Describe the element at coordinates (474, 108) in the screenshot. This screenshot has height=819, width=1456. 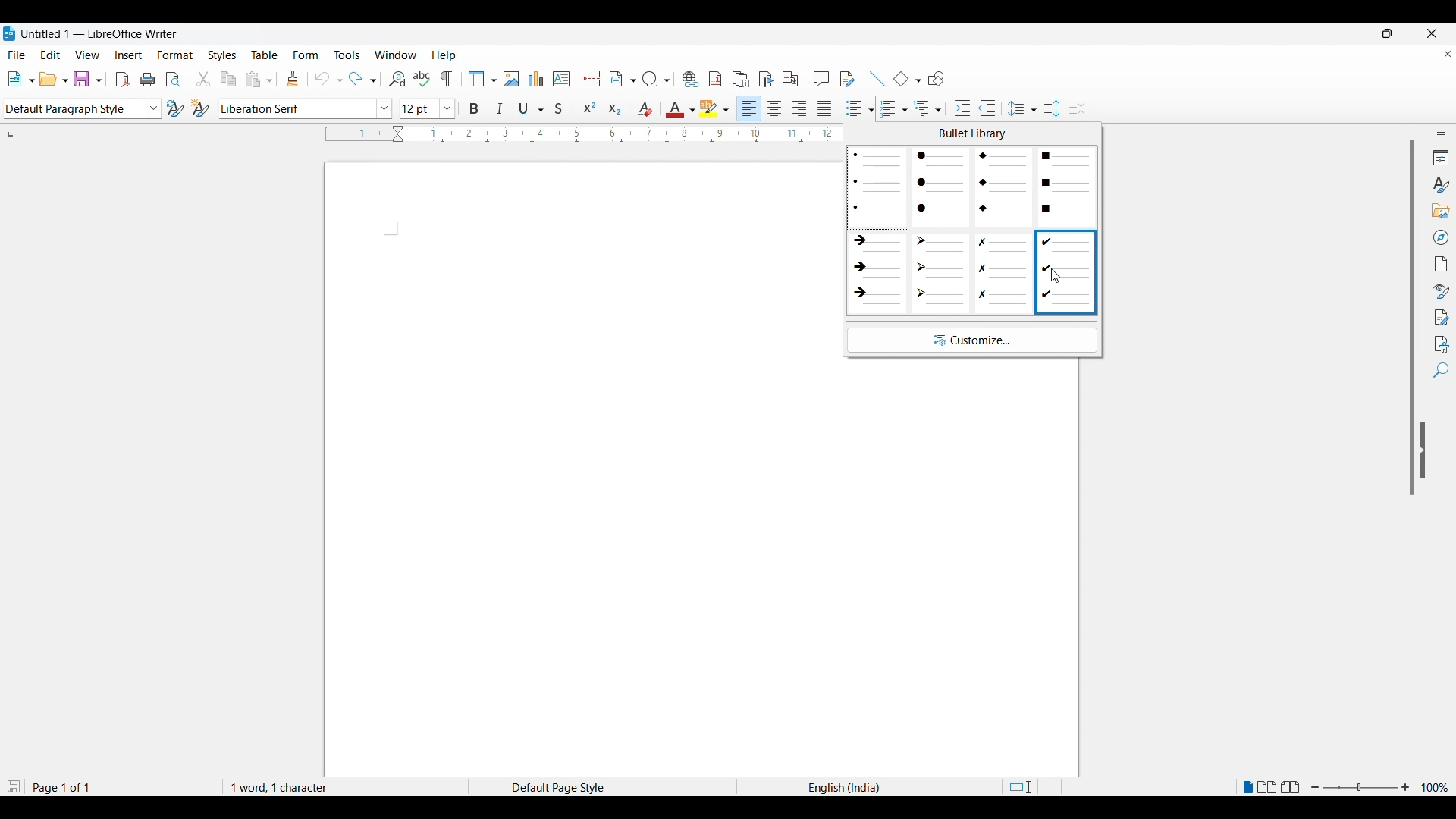
I see `bold` at that location.